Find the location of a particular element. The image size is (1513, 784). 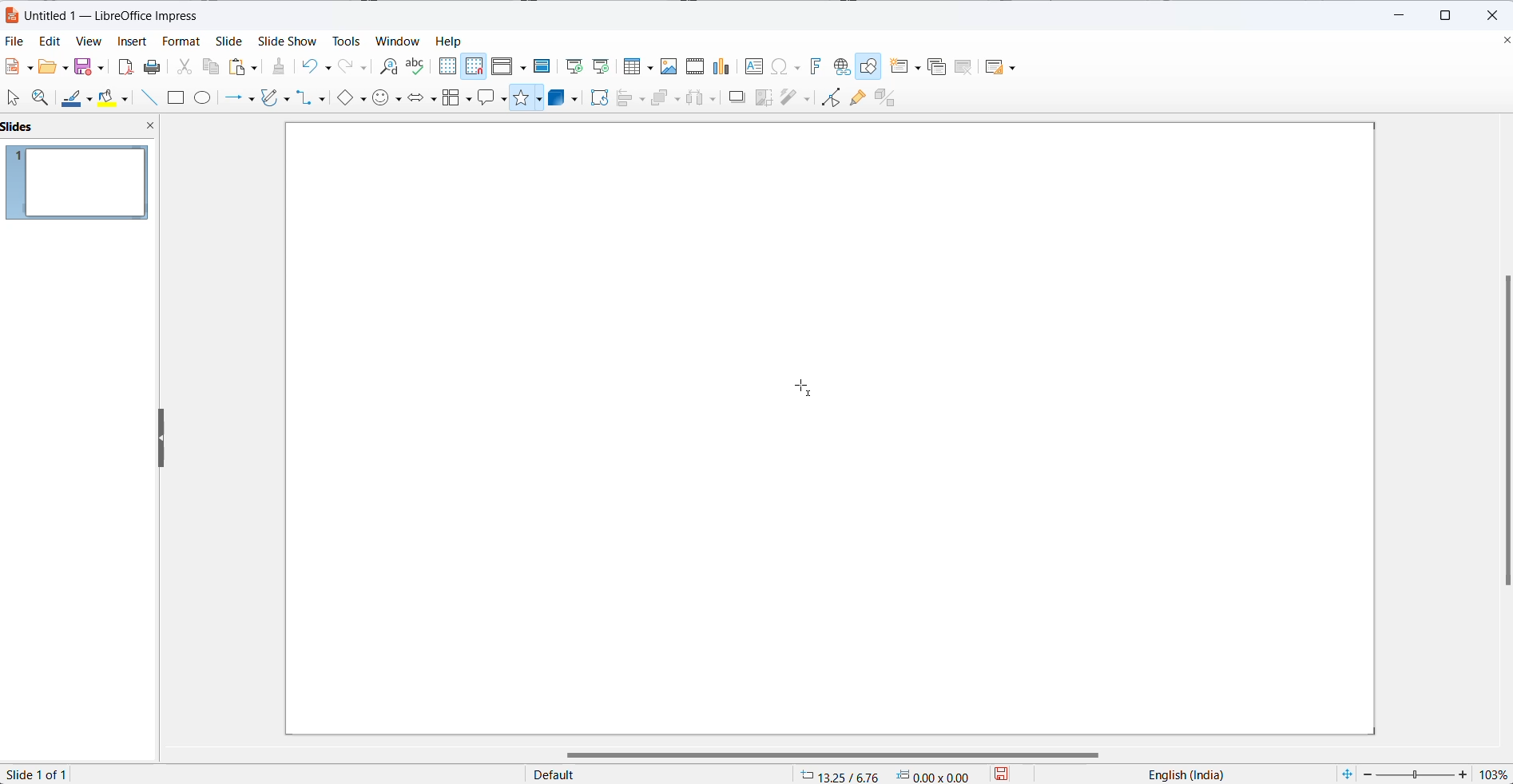

paste options is located at coordinates (244, 66).